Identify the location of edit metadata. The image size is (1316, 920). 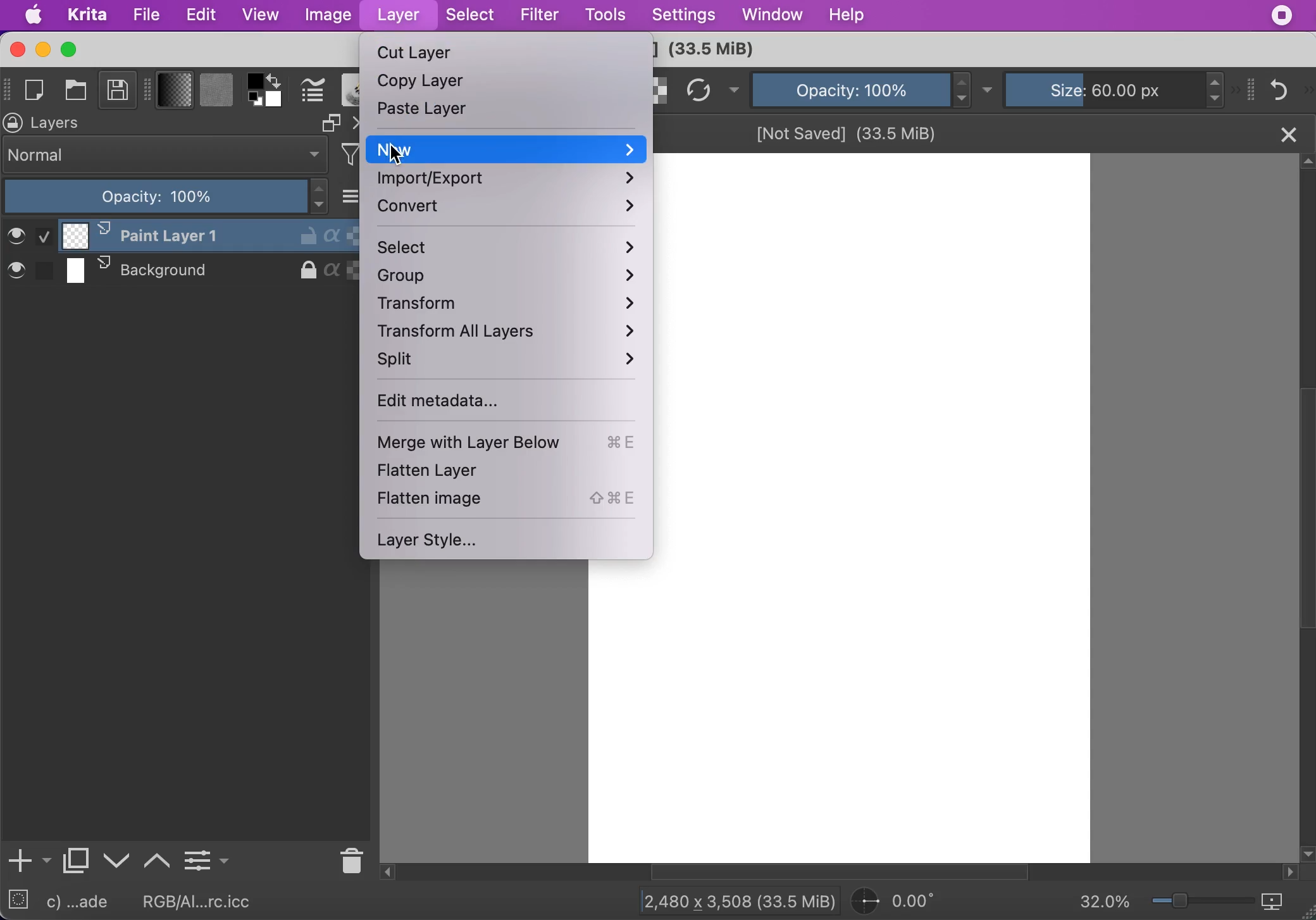
(466, 404).